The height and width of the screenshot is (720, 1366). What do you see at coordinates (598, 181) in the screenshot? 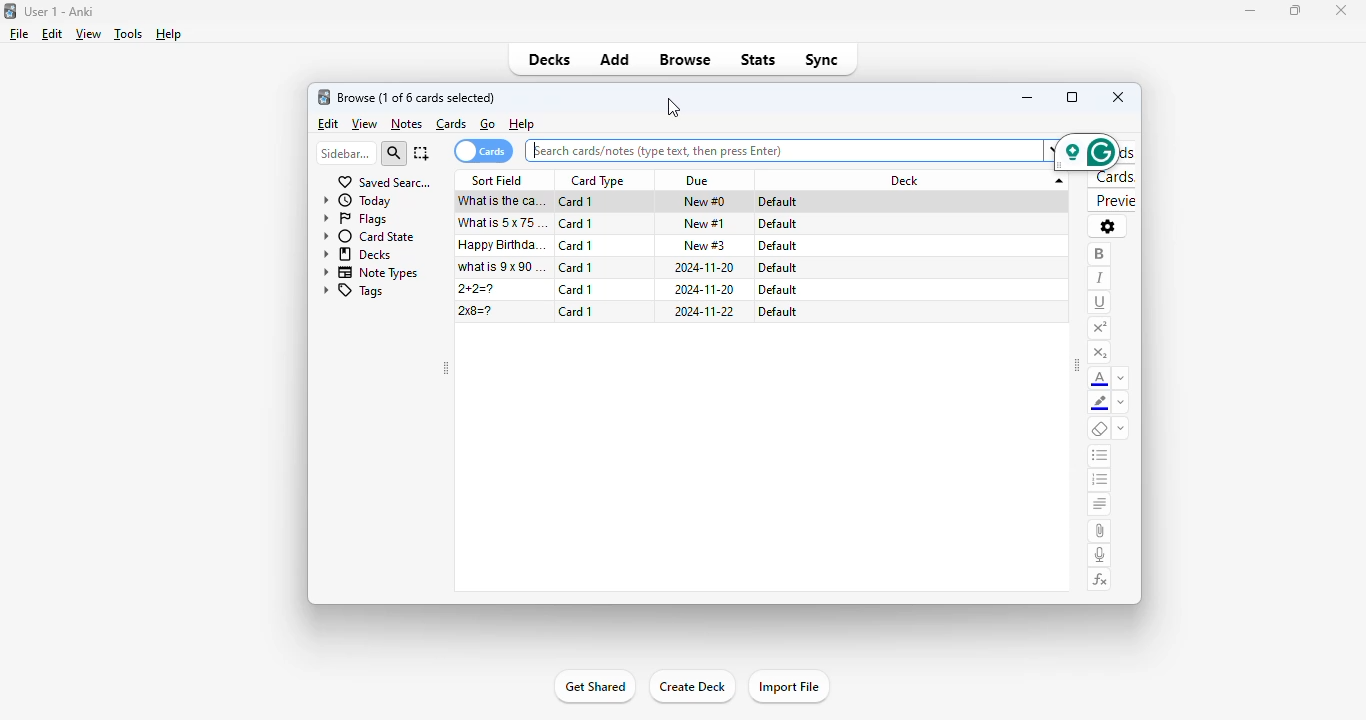
I see `card type` at bounding box center [598, 181].